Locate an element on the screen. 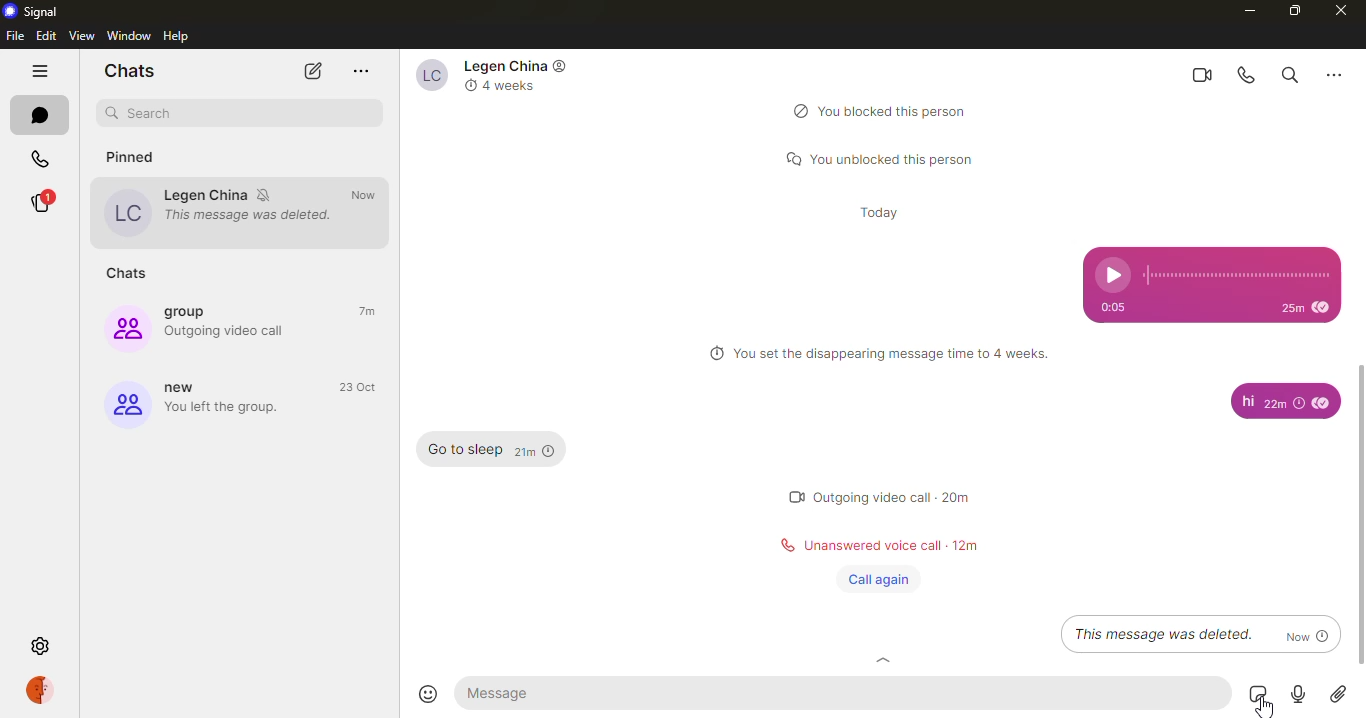 This screenshot has width=1366, height=718. You set the disappearing message time to 4 weeks. is located at coordinates (893, 354).